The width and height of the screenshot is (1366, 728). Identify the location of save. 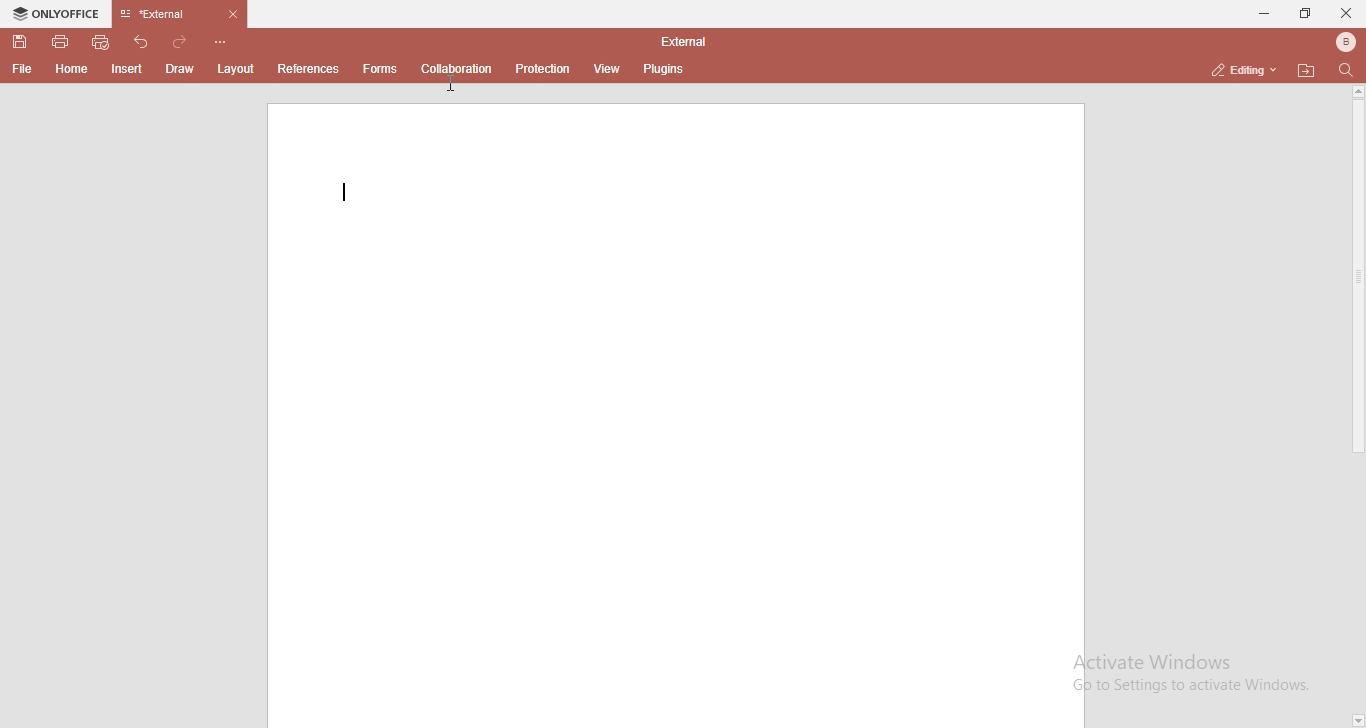
(20, 42).